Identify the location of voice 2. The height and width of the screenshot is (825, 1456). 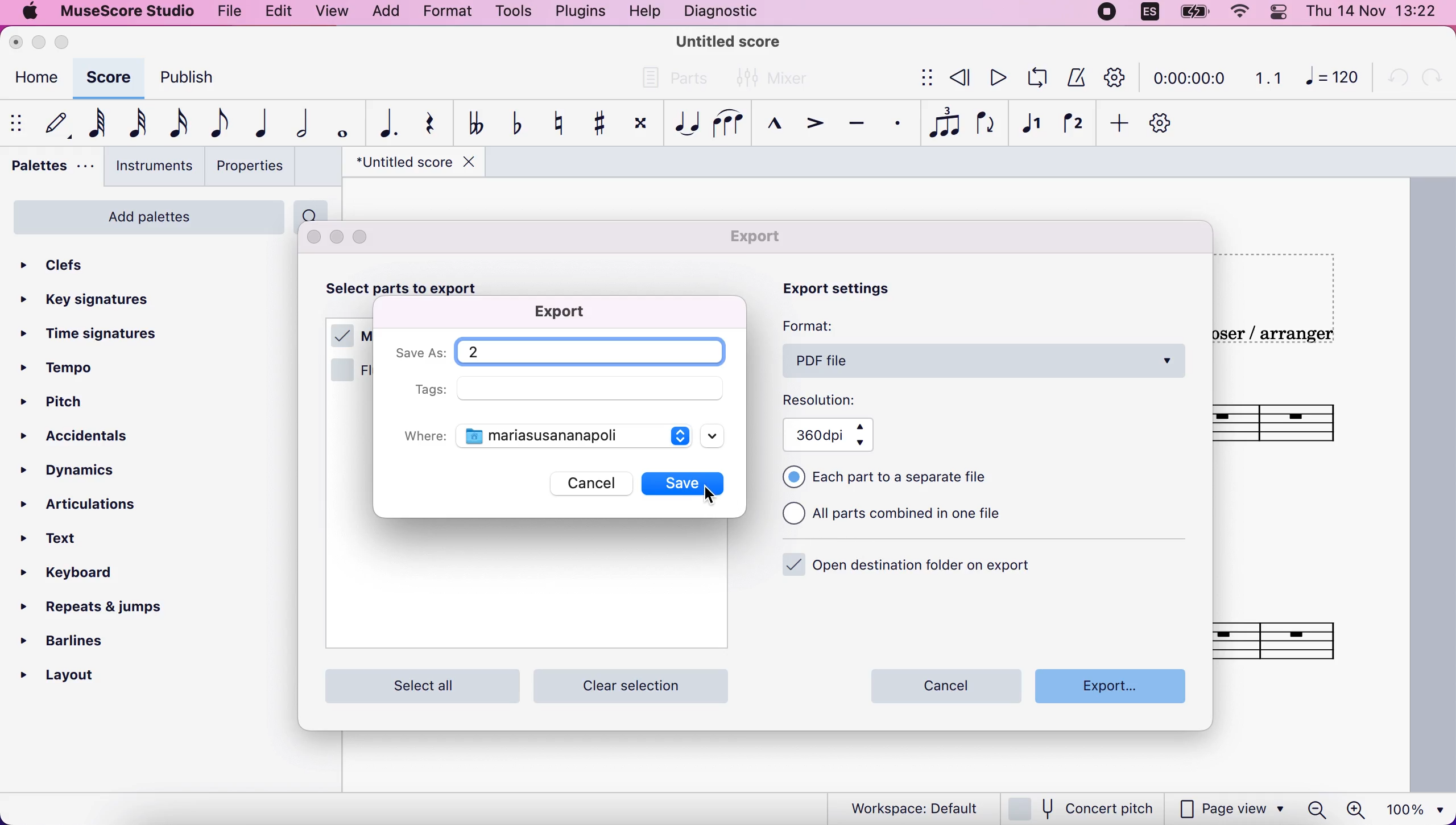
(1071, 125).